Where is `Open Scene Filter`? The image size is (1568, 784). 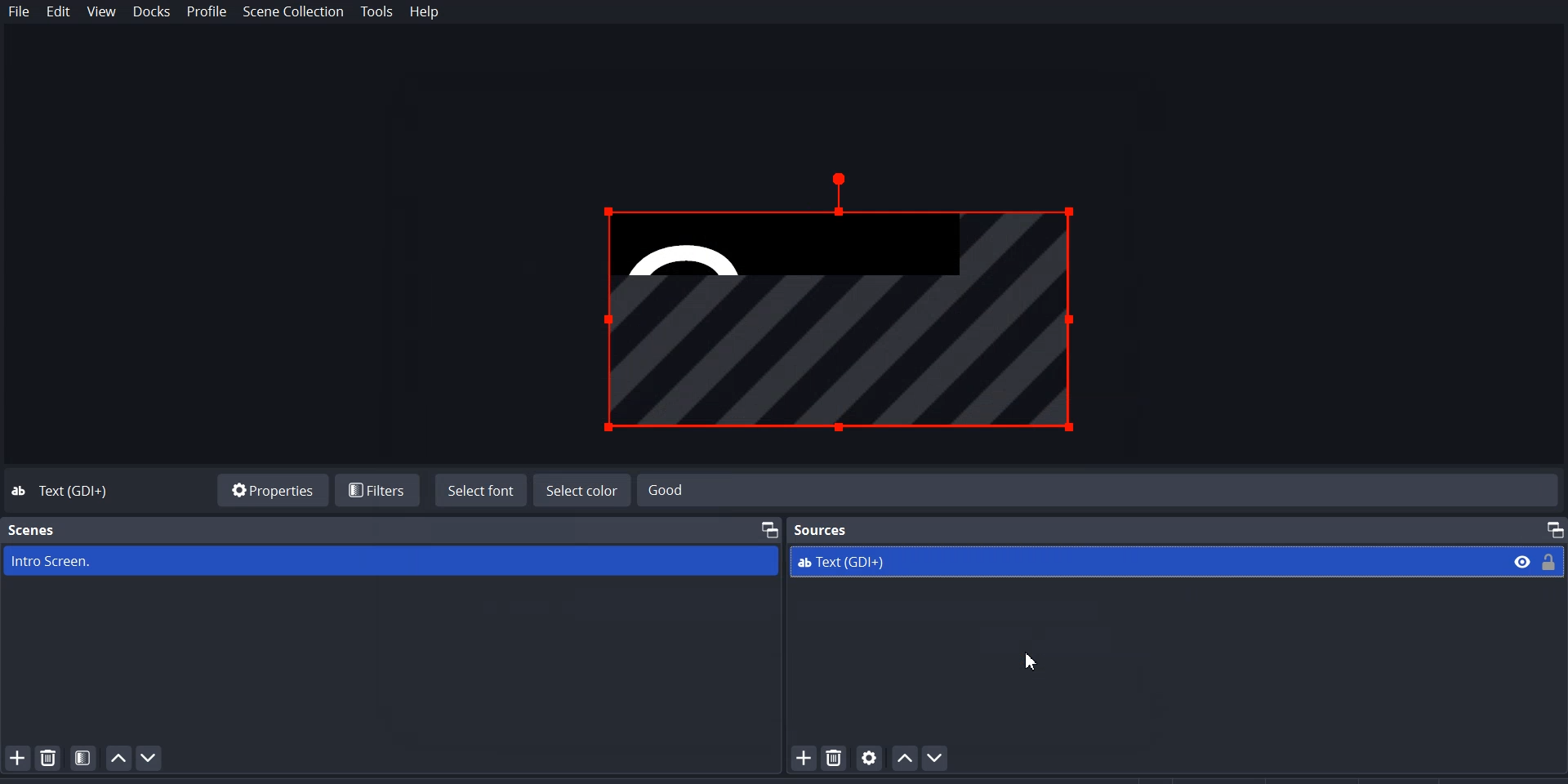
Open Scene Filter is located at coordinates (83, 757).